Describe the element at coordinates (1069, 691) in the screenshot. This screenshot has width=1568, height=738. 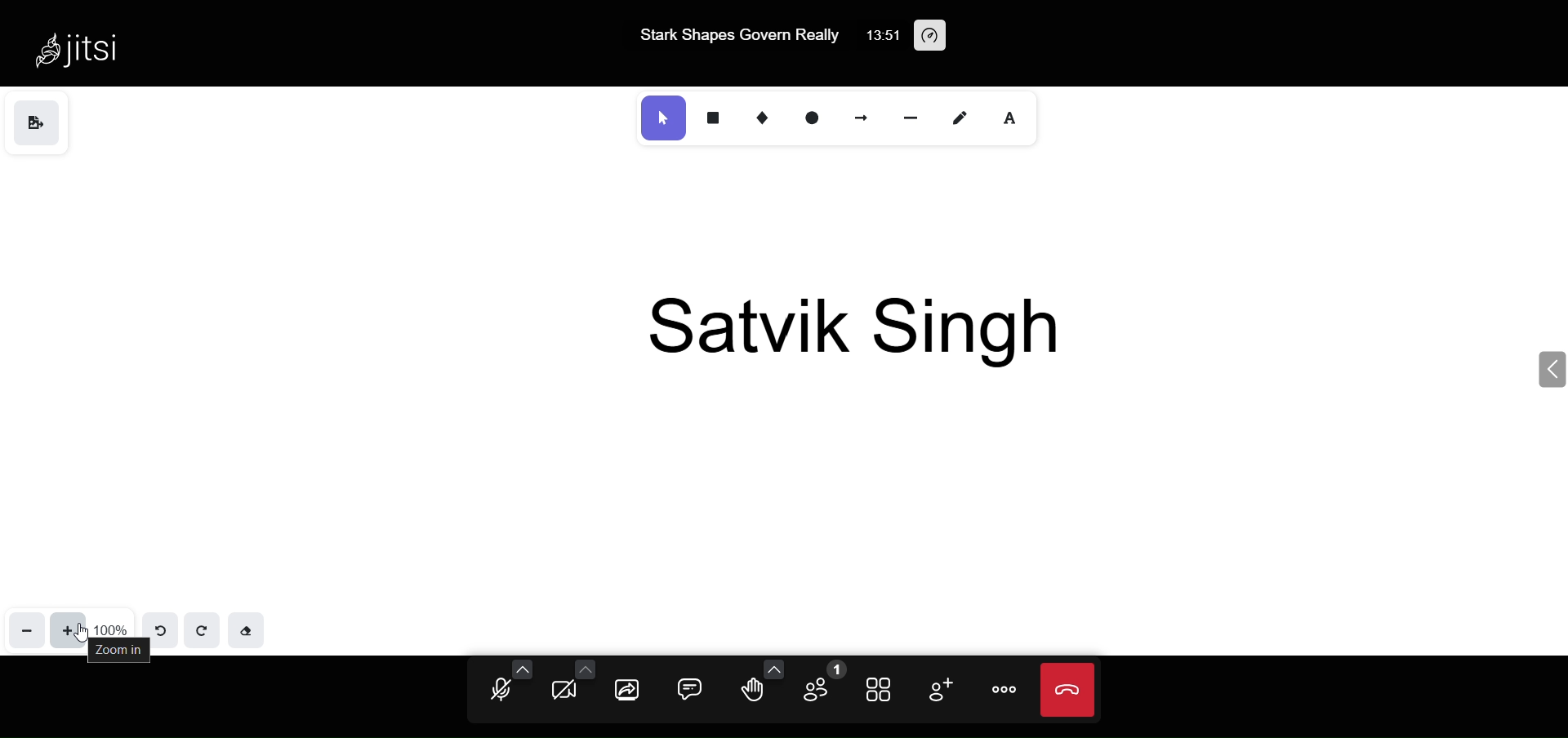
I see `end call` at that location.